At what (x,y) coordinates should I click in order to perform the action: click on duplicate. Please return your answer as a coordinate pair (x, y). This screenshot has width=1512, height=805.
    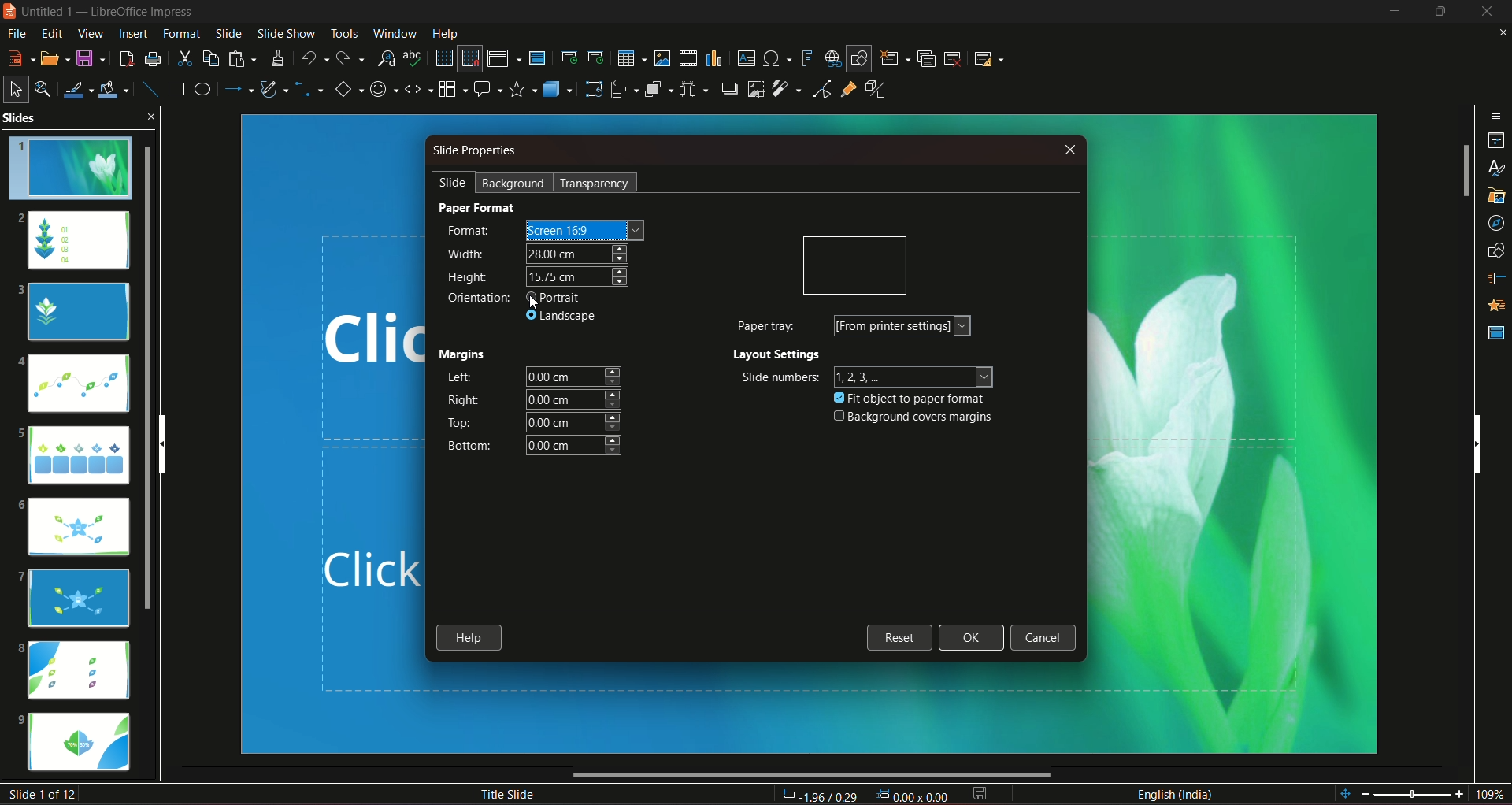
    Looking at the image, I should click on (926, 57).